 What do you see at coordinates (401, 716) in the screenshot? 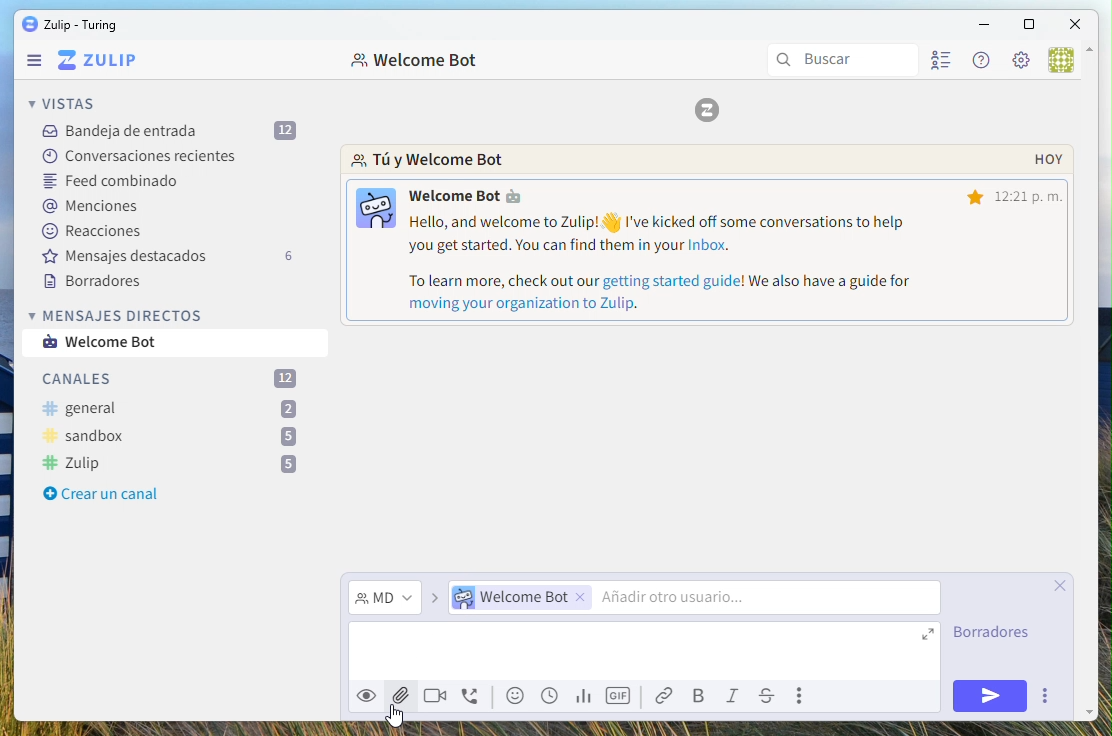
I see `cursor` at bounding box center [401, 716].